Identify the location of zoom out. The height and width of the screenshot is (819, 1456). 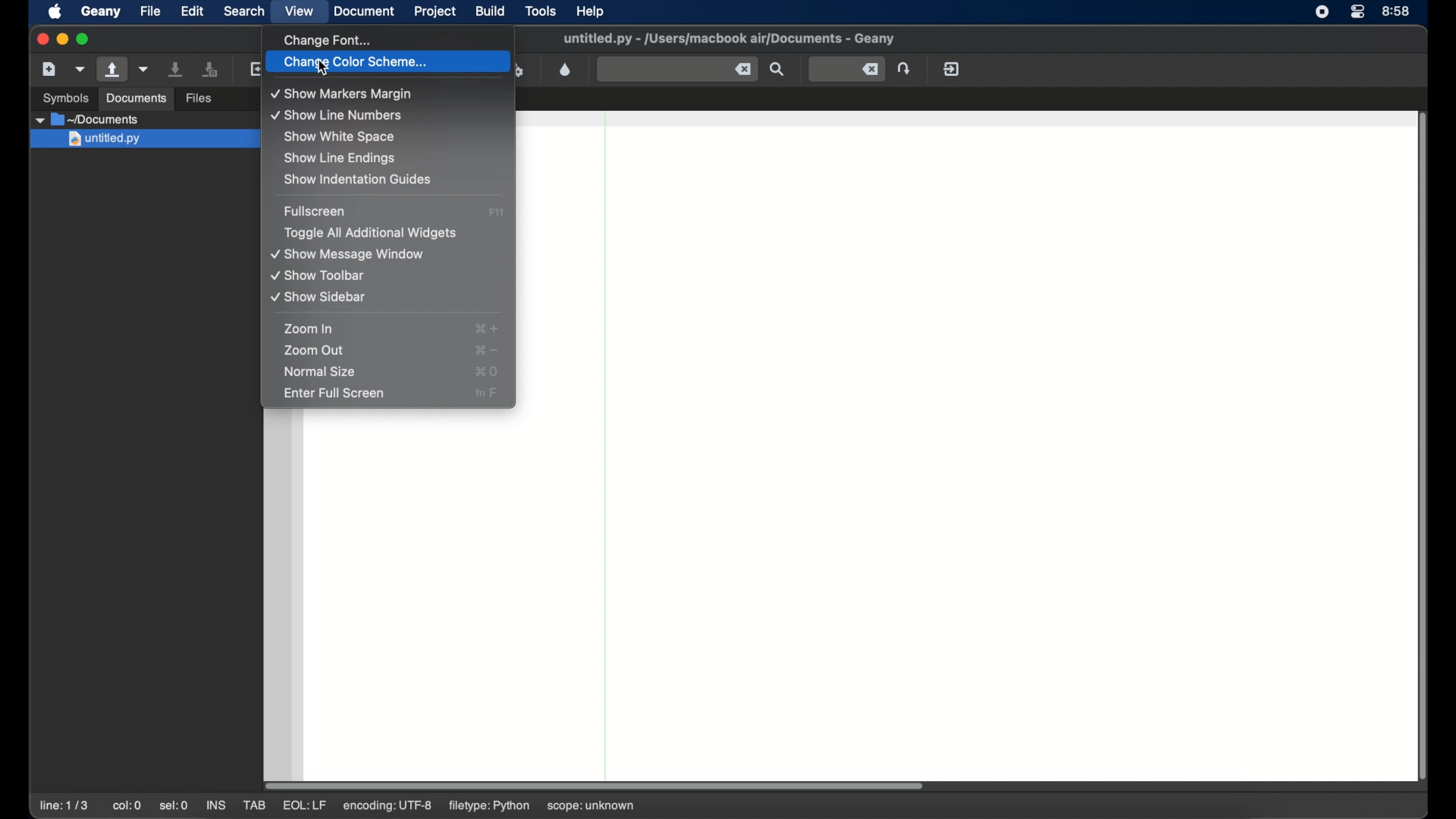
(313, 351).